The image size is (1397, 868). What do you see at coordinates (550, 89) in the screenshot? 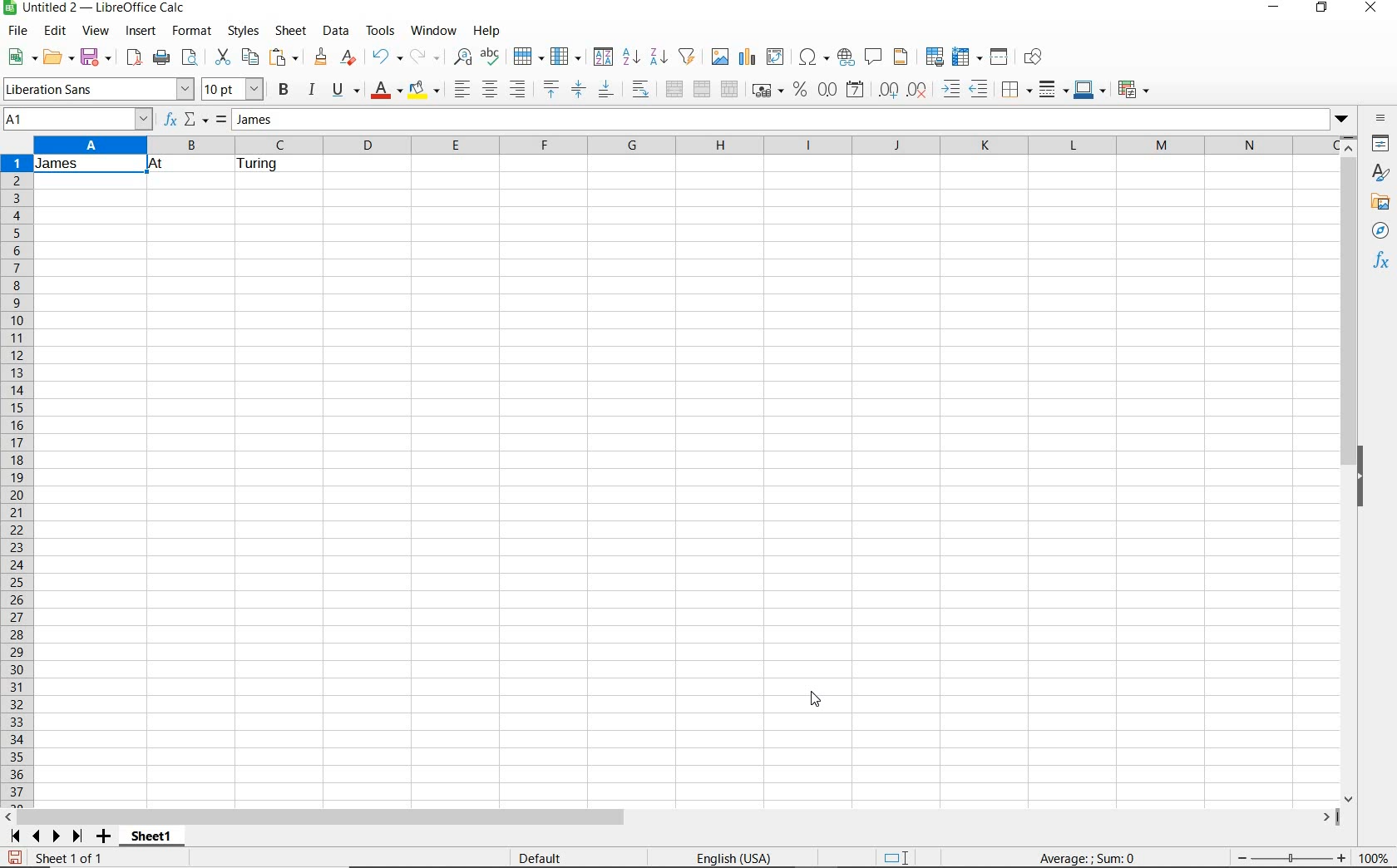
I see `align top` at bounding box center [550, 89].